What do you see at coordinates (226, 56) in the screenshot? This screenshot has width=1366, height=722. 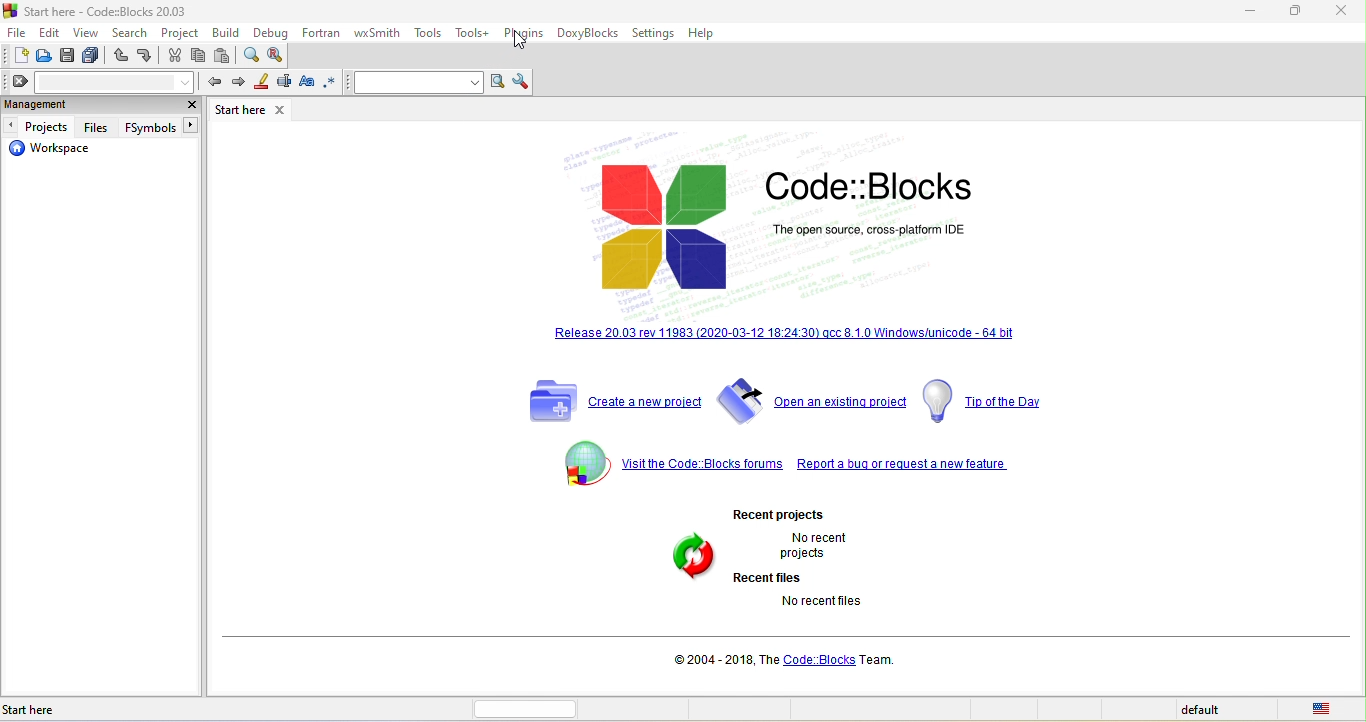 I see `paste` at bounding box center [226, 56].